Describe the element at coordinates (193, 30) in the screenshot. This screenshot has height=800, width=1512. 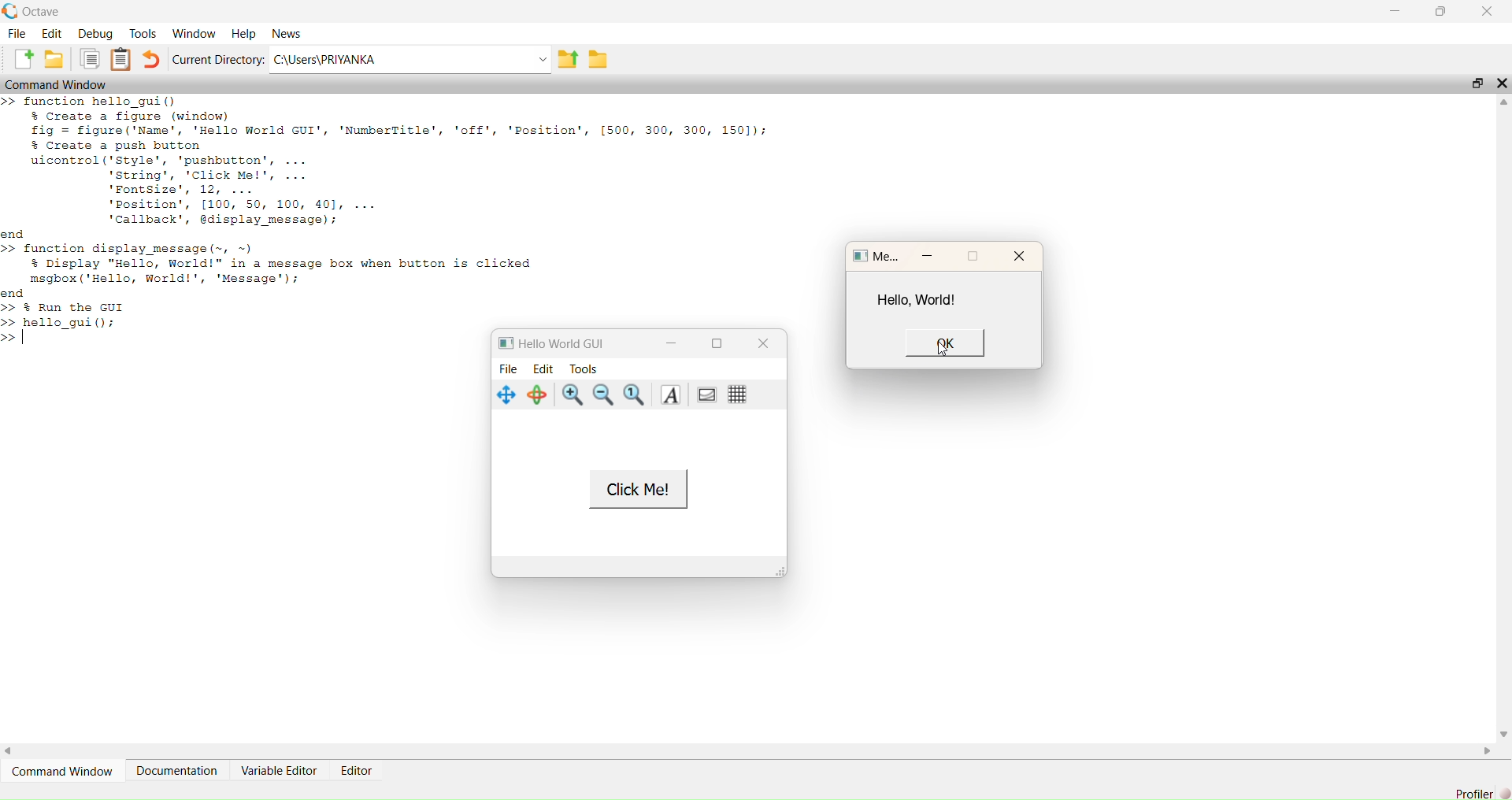
I see `‘Window` at that location.